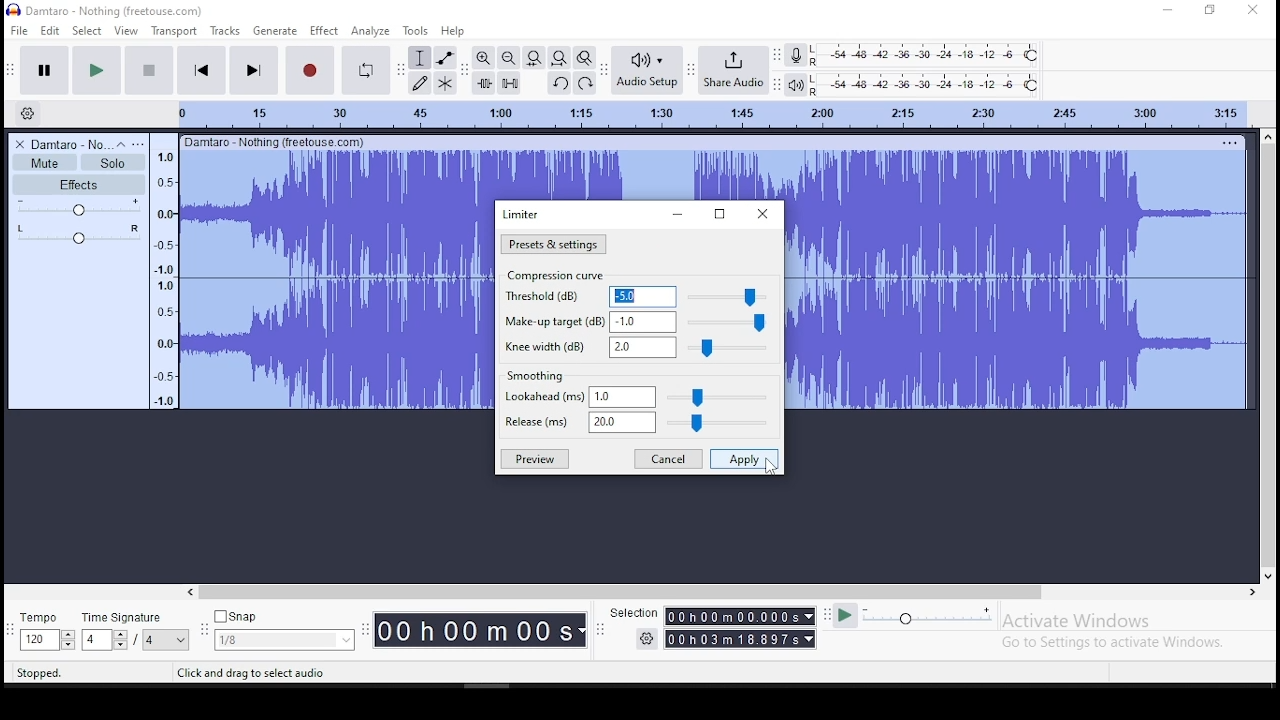 The width and height of the screenshot is (1280, 720). What do you see at coordinates (50, 30) in the screenshot?
I see `edit` at bounding box center [50, 30].